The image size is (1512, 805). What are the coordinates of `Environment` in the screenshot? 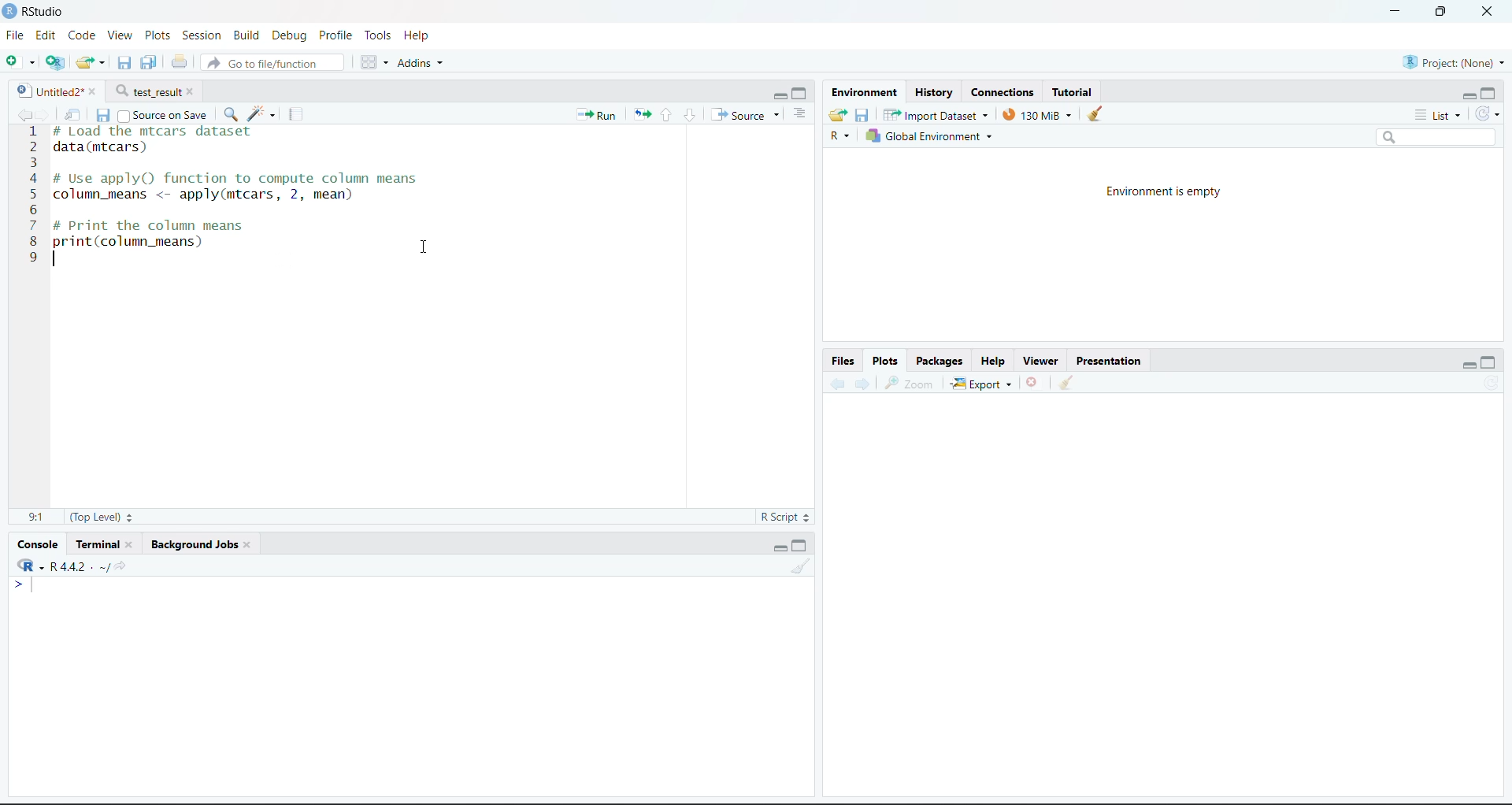 It's located at (865, 92).